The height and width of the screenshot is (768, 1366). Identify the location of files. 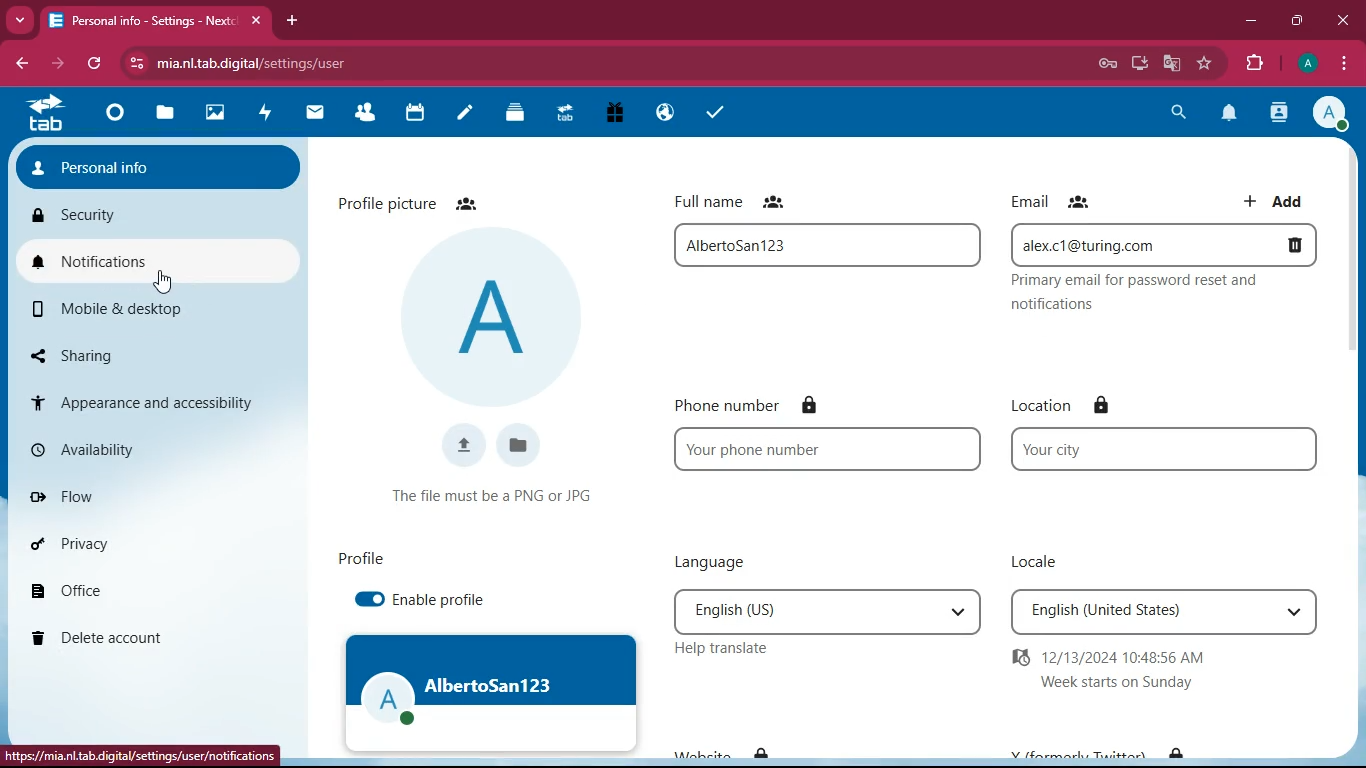
(171, 115).